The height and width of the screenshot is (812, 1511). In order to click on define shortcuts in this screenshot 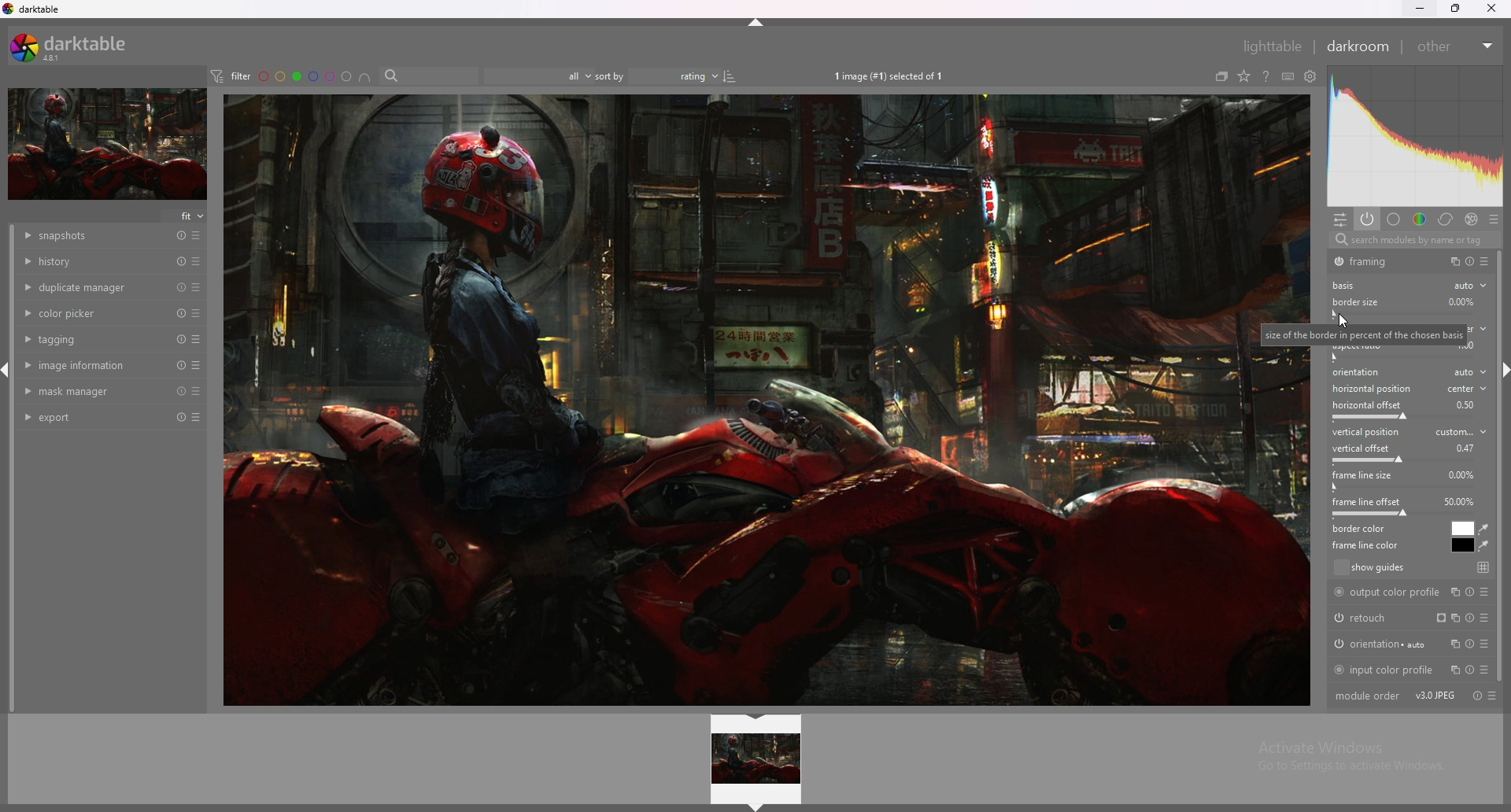, I will do `click(1287, 76)`.